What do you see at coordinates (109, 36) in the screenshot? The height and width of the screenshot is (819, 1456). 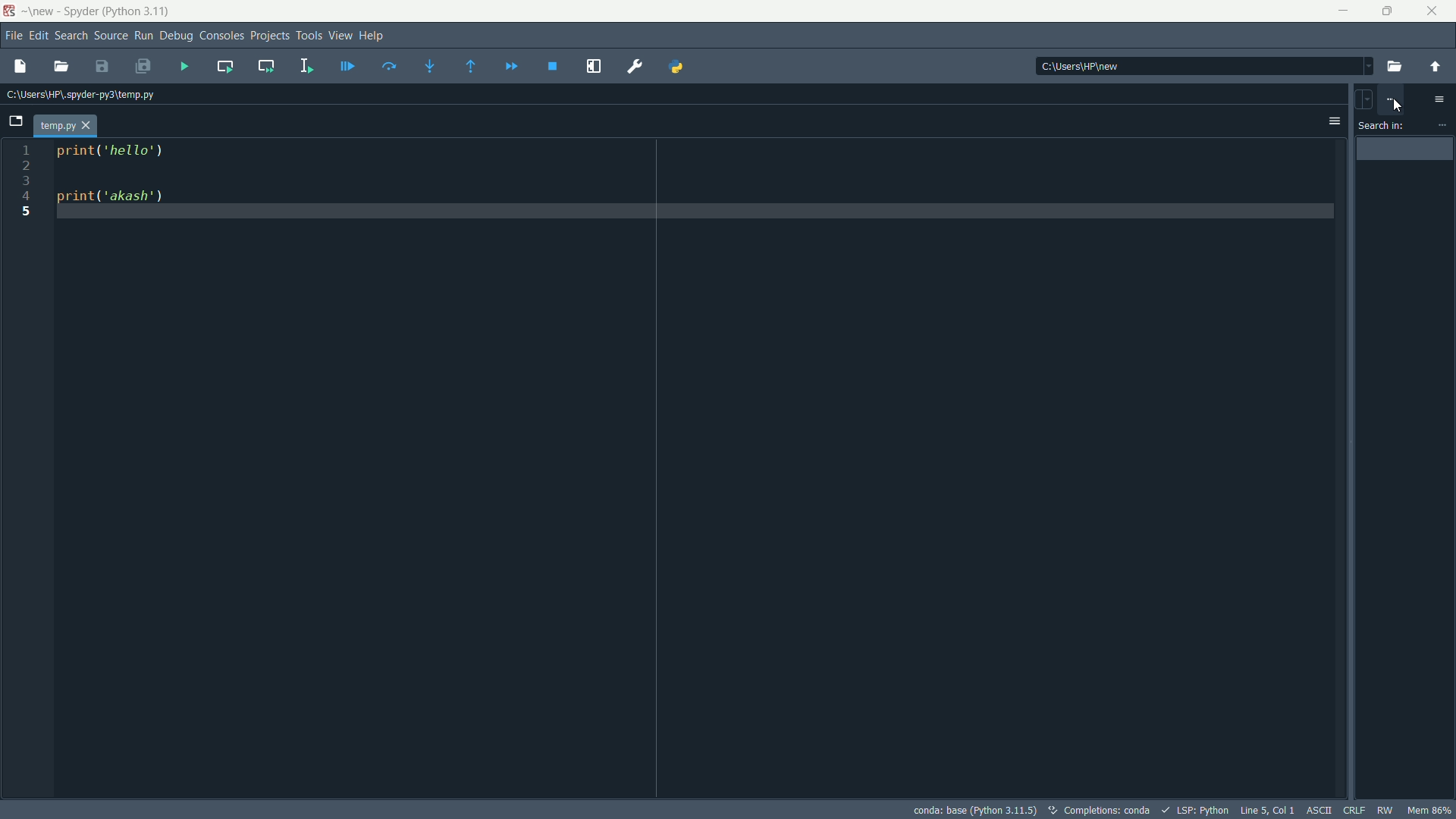 I see `Source menu` at bounding box center [109, 36].